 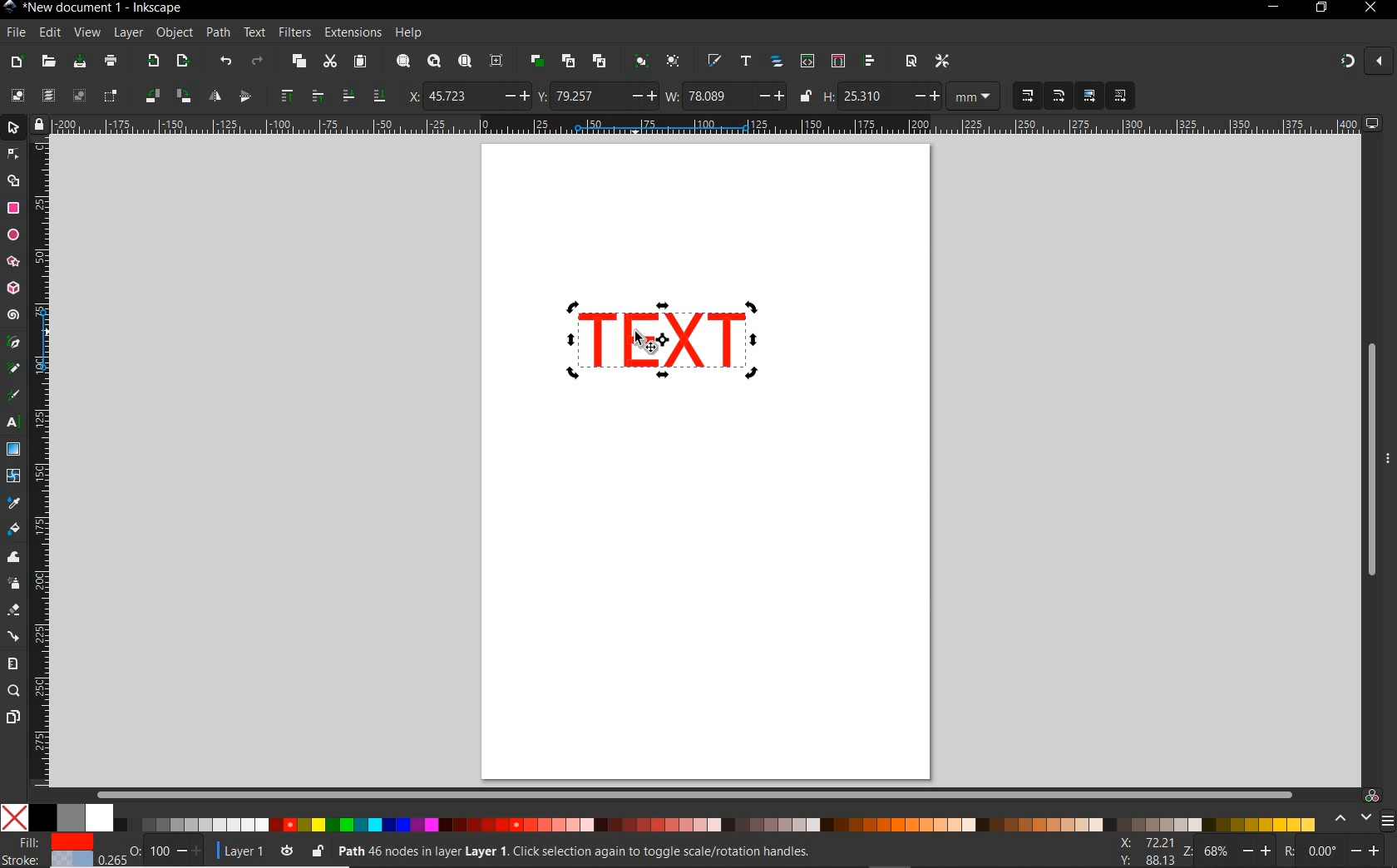 What do you see at coordinates (329, 62) in the screenshot?
I see `CUT` at bounding box center [329, 62].